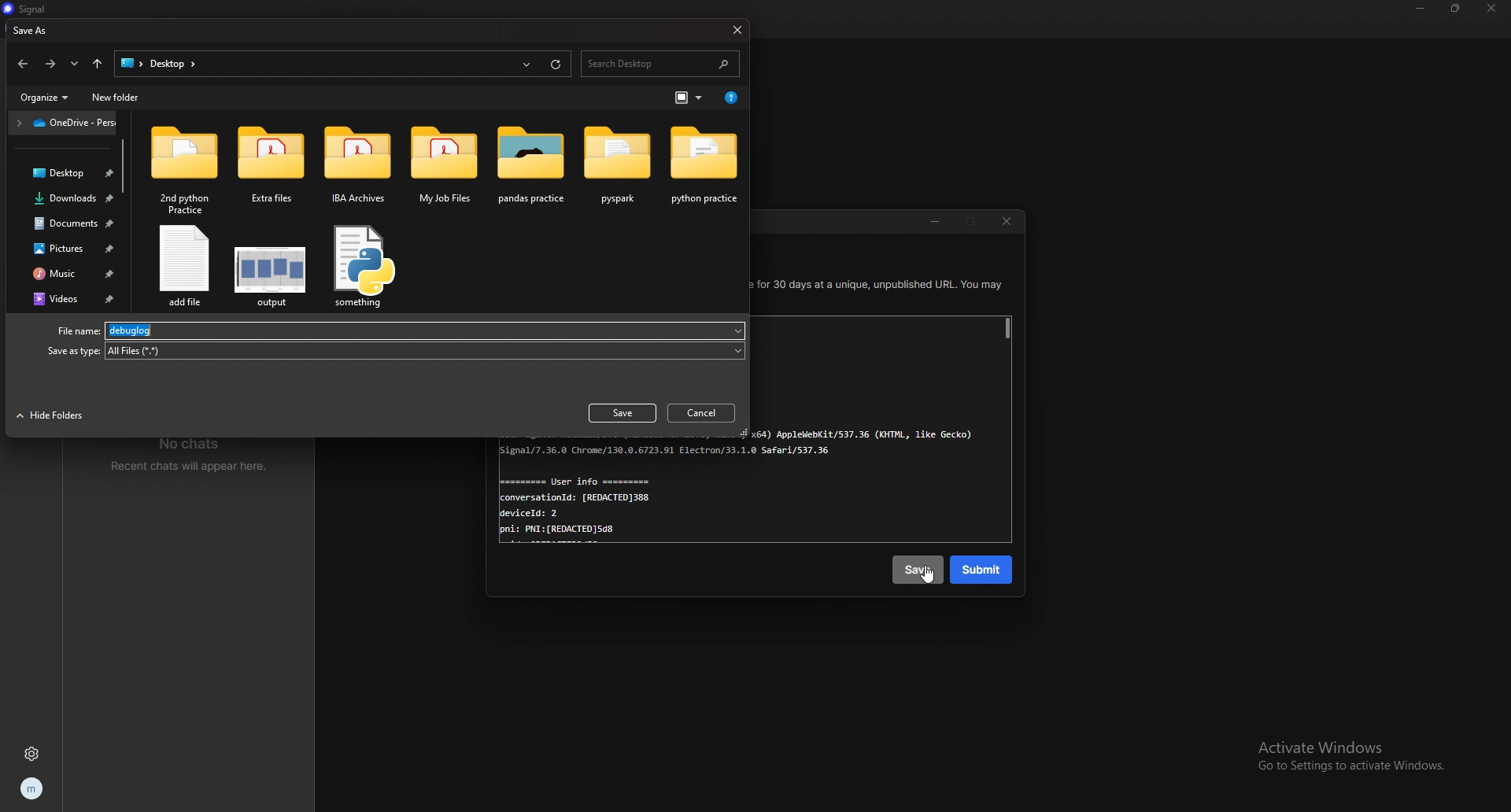  I want to click on folder, so click(446, 166).